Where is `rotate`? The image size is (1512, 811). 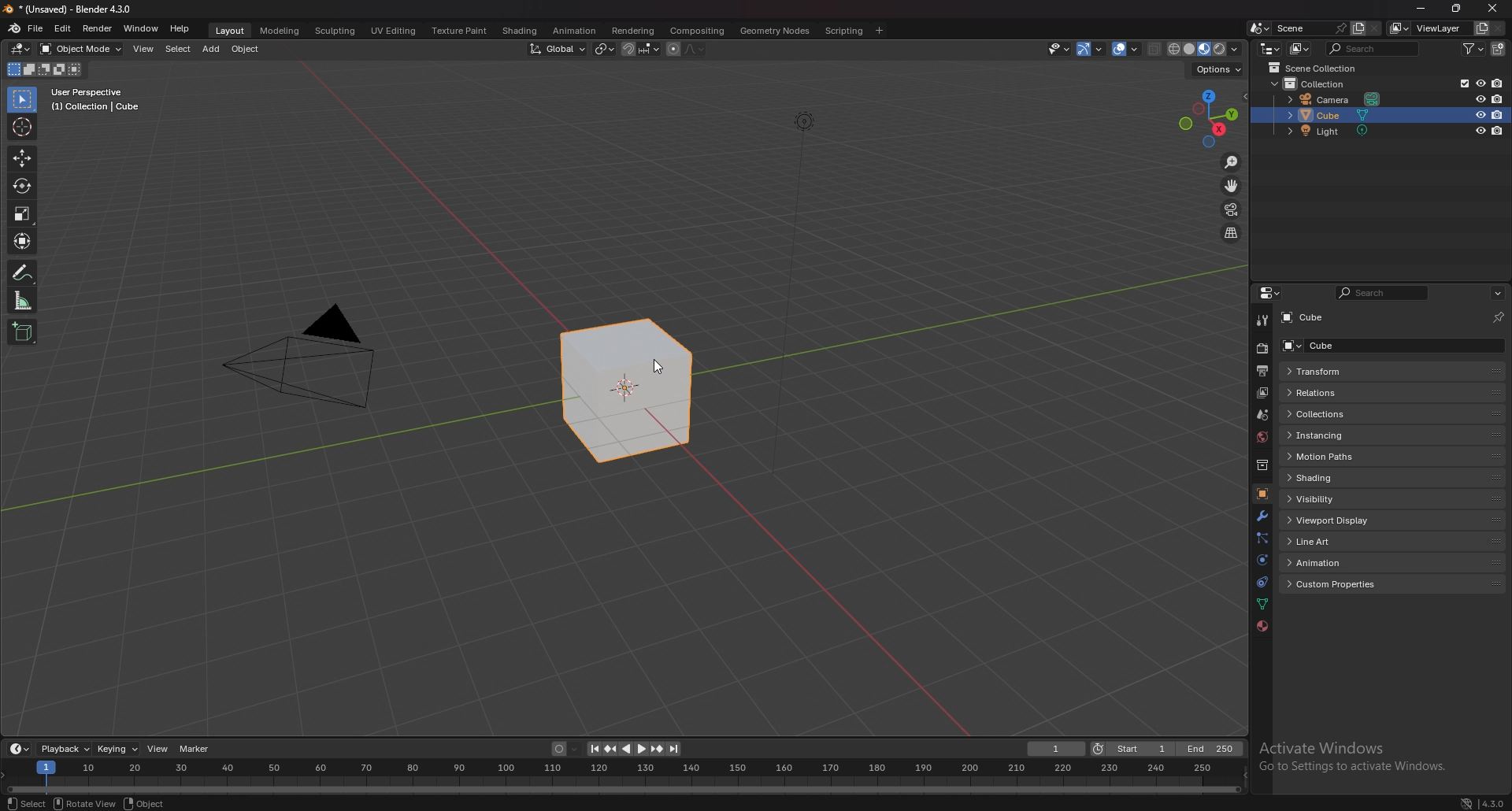 rotate is located at coordinates (20, 187).